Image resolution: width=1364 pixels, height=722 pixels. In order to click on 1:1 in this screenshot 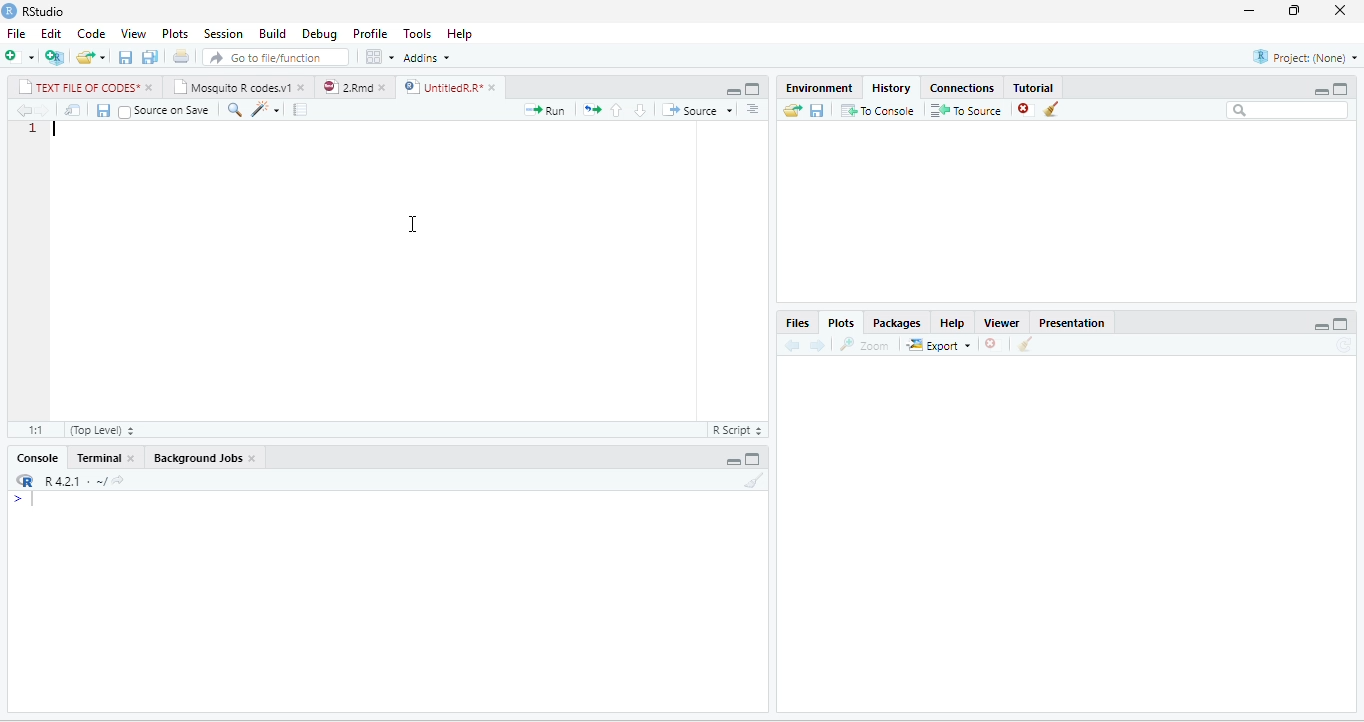, I will do `click(35, 430)`.